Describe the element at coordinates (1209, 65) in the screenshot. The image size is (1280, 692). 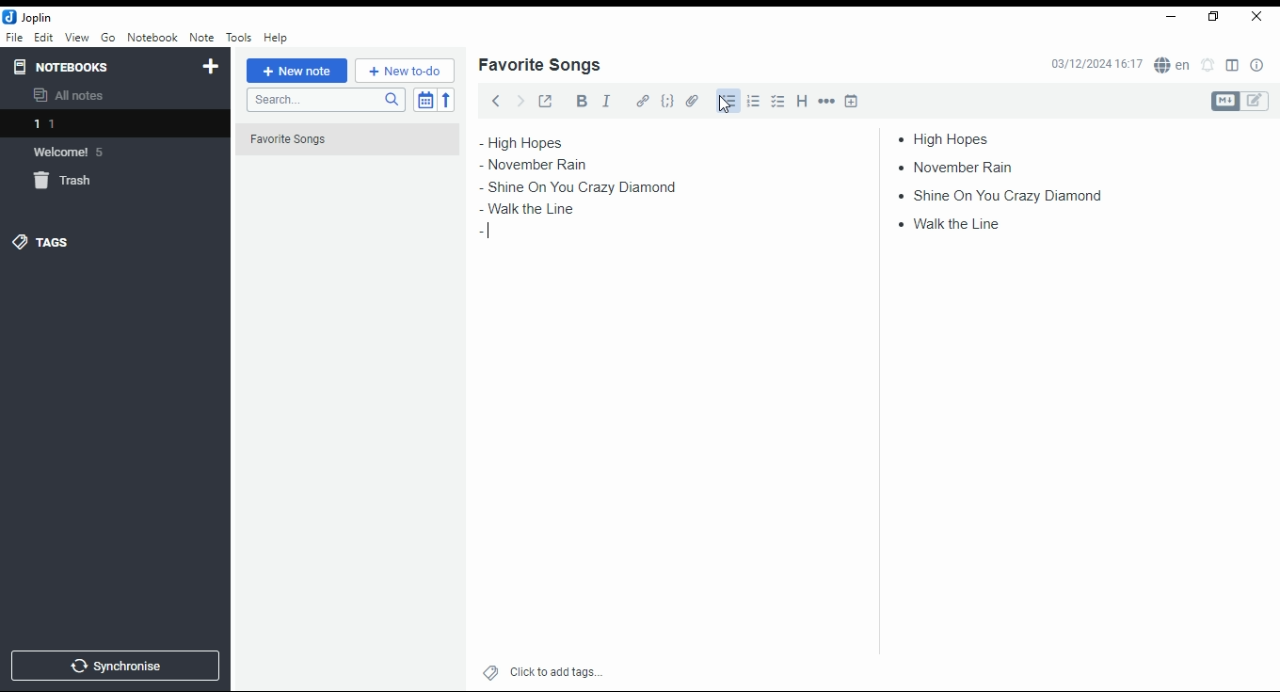
I see `set alarm` at that location.